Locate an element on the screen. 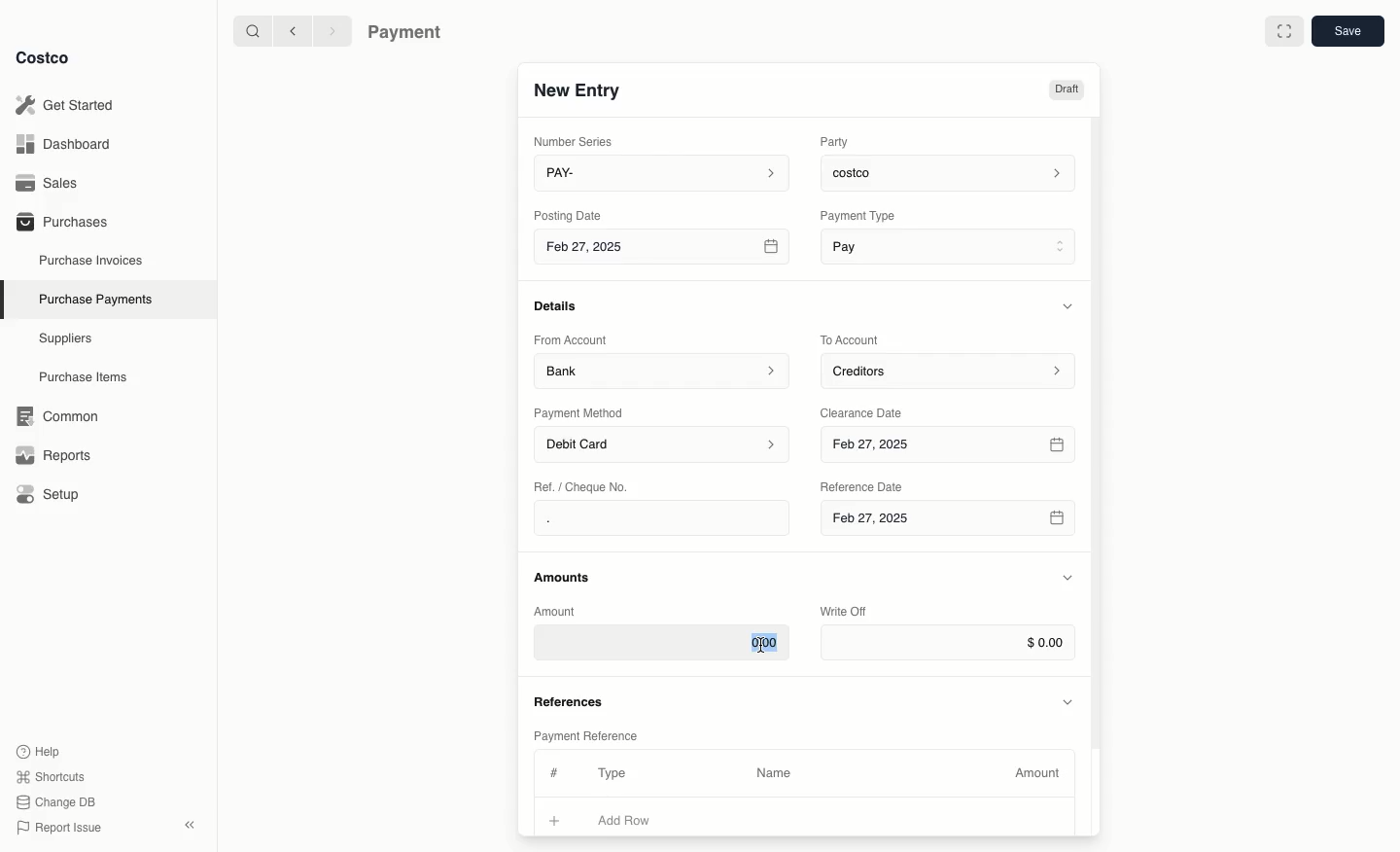 The image size is (1400, 852). Payment Method is located at coordinates (580, 412).